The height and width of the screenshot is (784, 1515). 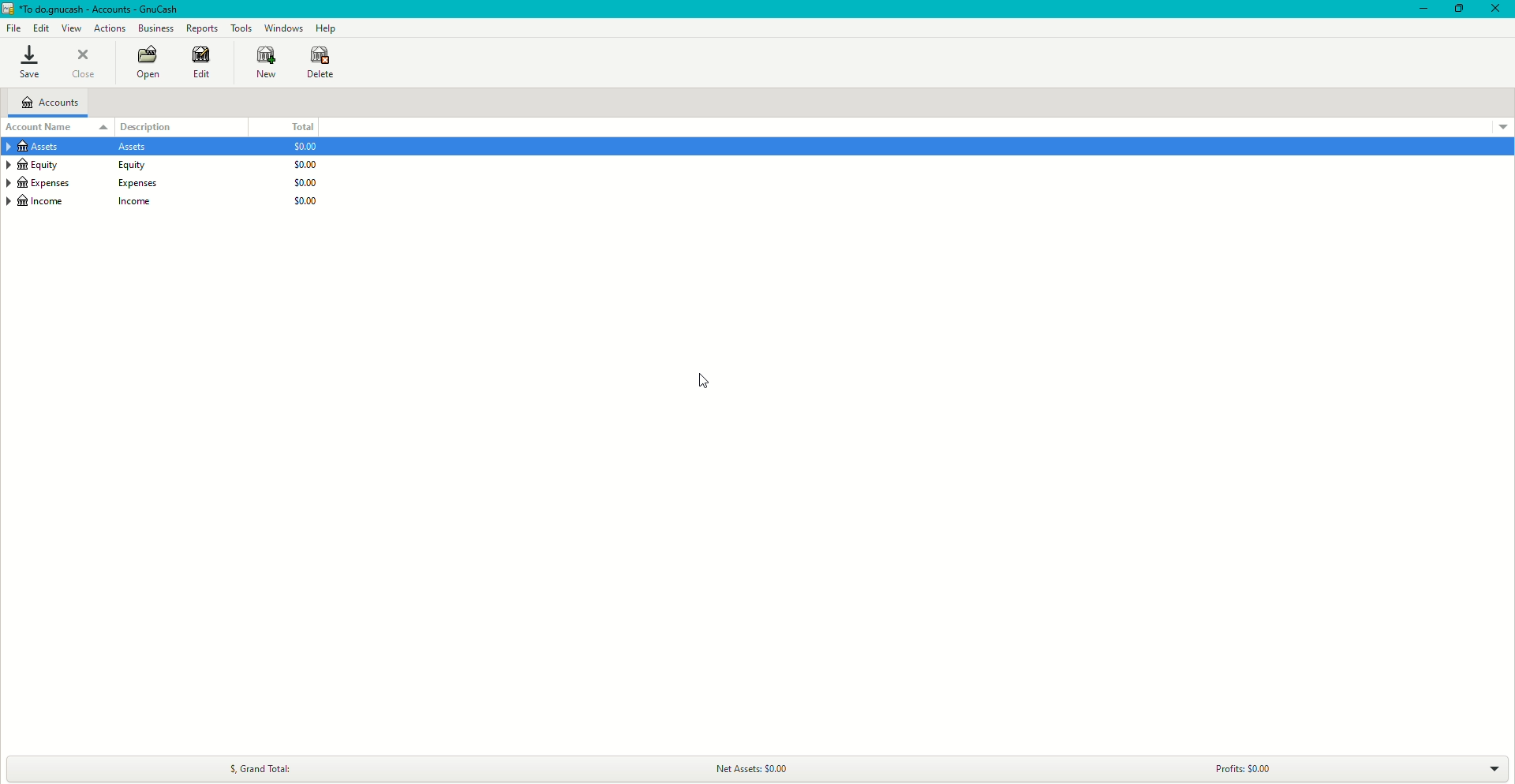 I want to click on Equity, so click(x=84, y=166).